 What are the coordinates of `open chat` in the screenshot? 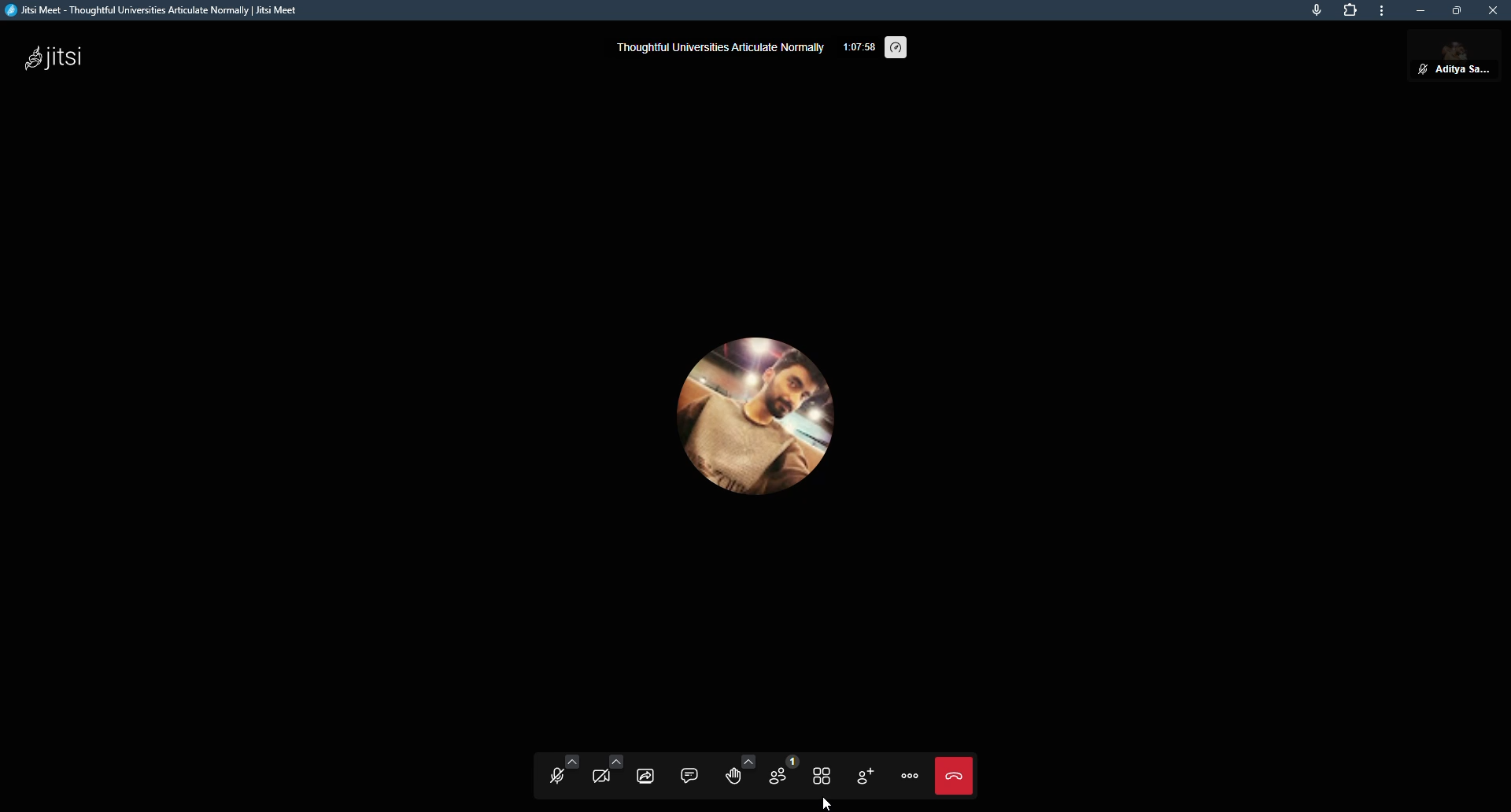 It's located at (691, 774).